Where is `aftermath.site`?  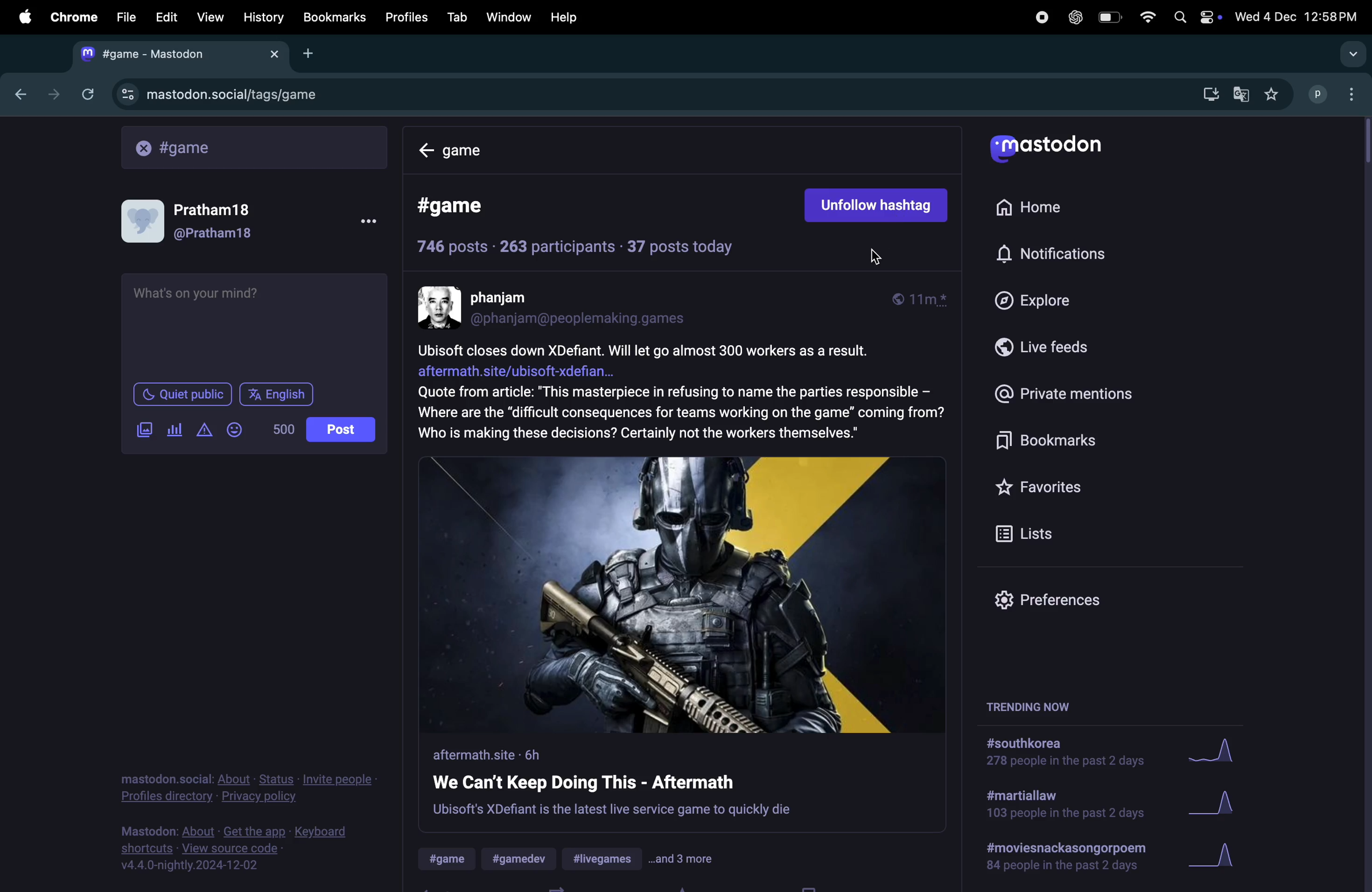 aftermath.site is located at coordinates (493, 755).